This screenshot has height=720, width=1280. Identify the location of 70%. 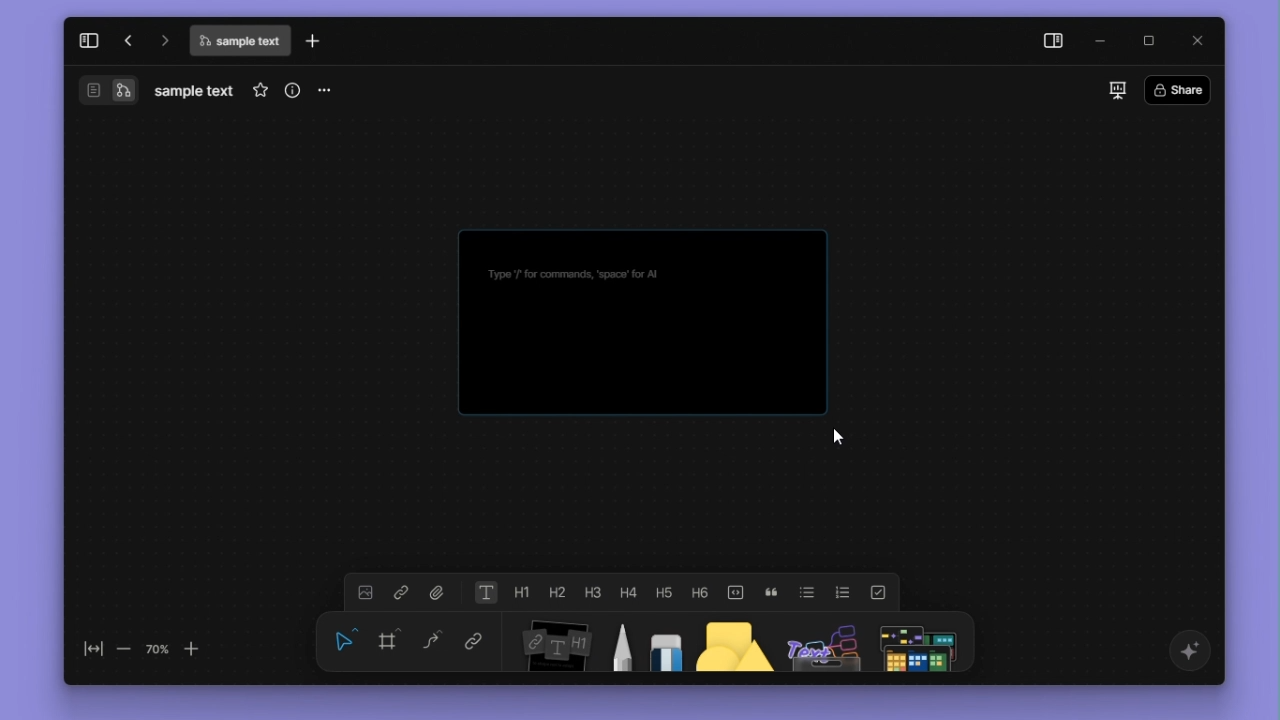
(157, 648).